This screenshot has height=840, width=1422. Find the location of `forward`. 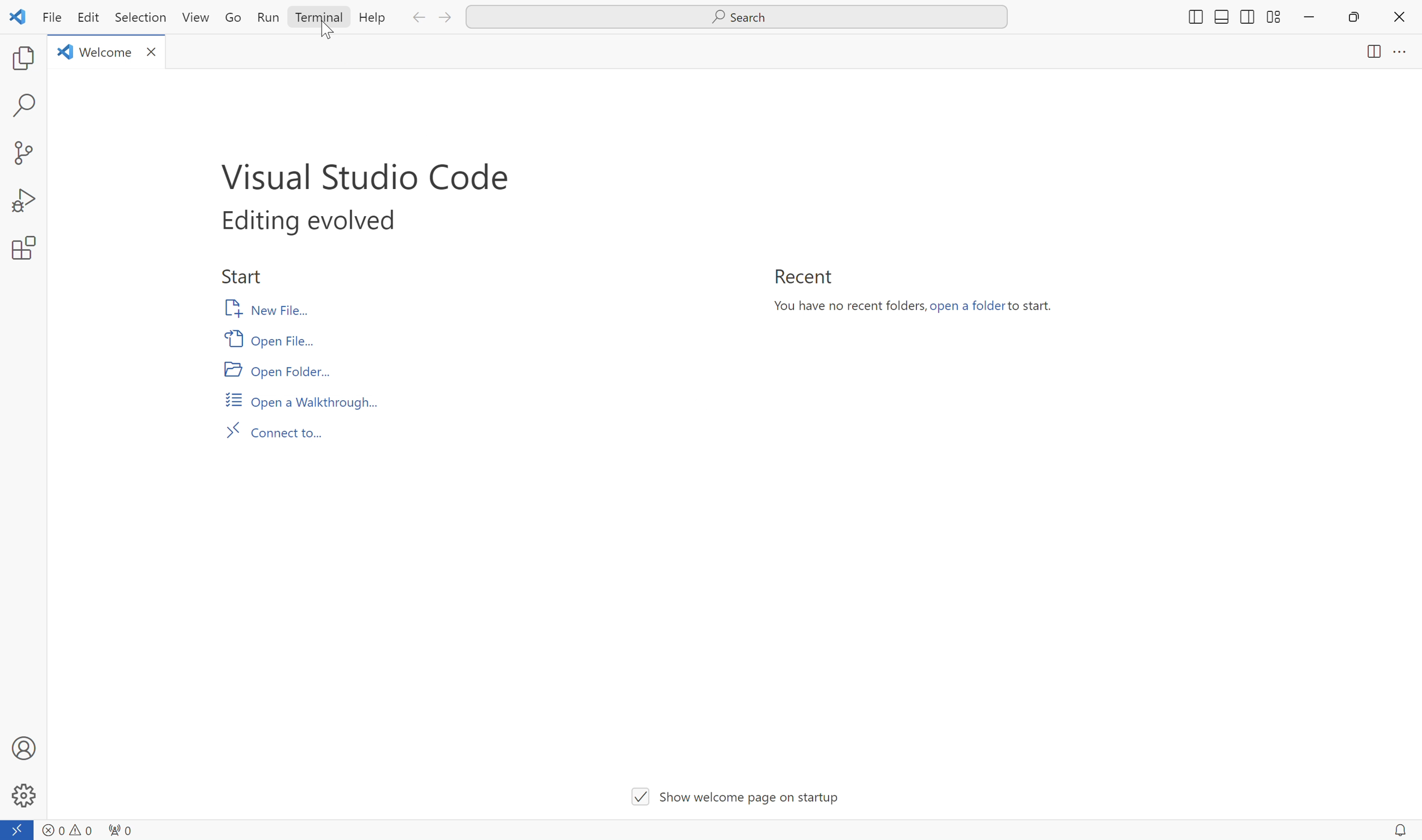

forward is located at coordinates (447, 18).